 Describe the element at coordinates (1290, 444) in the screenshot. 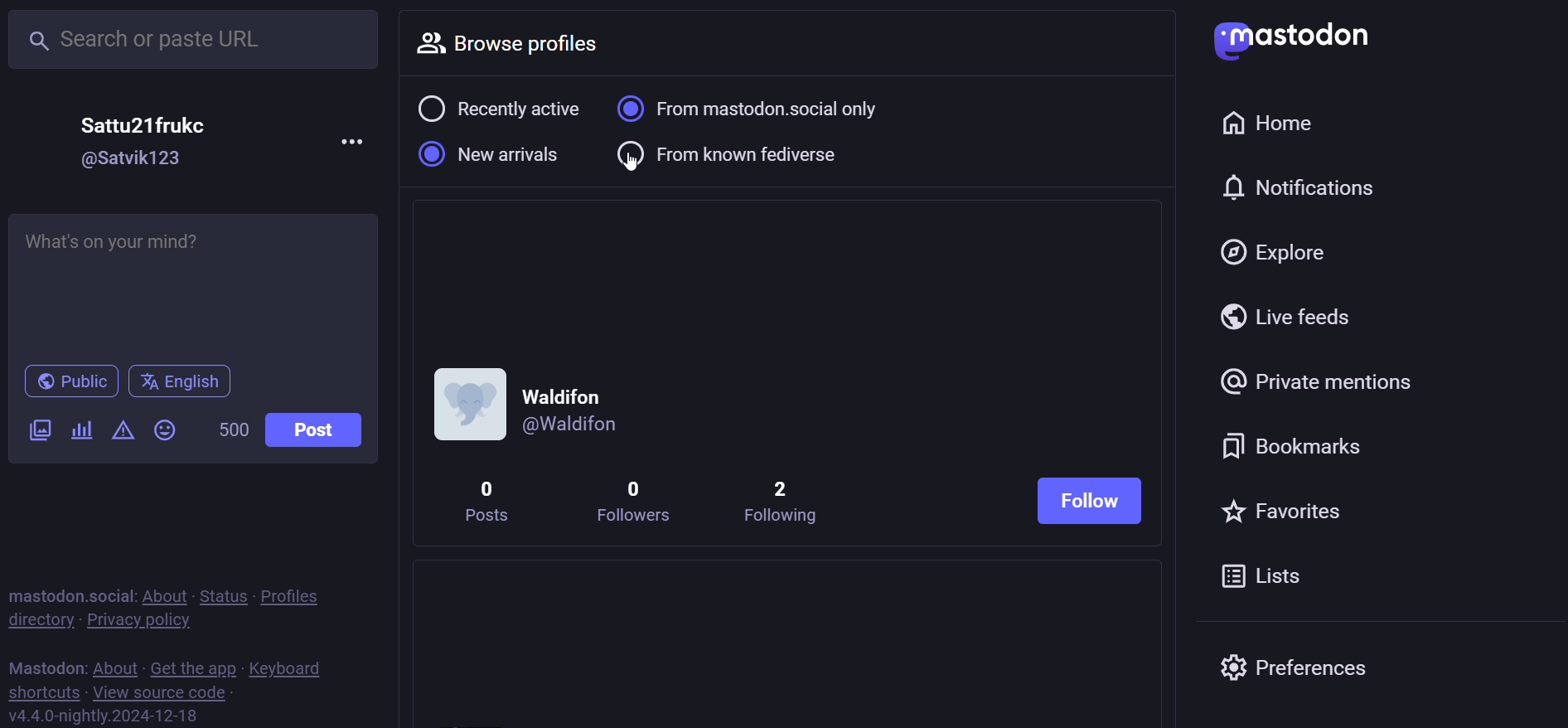

I see `bookmark` at that location.